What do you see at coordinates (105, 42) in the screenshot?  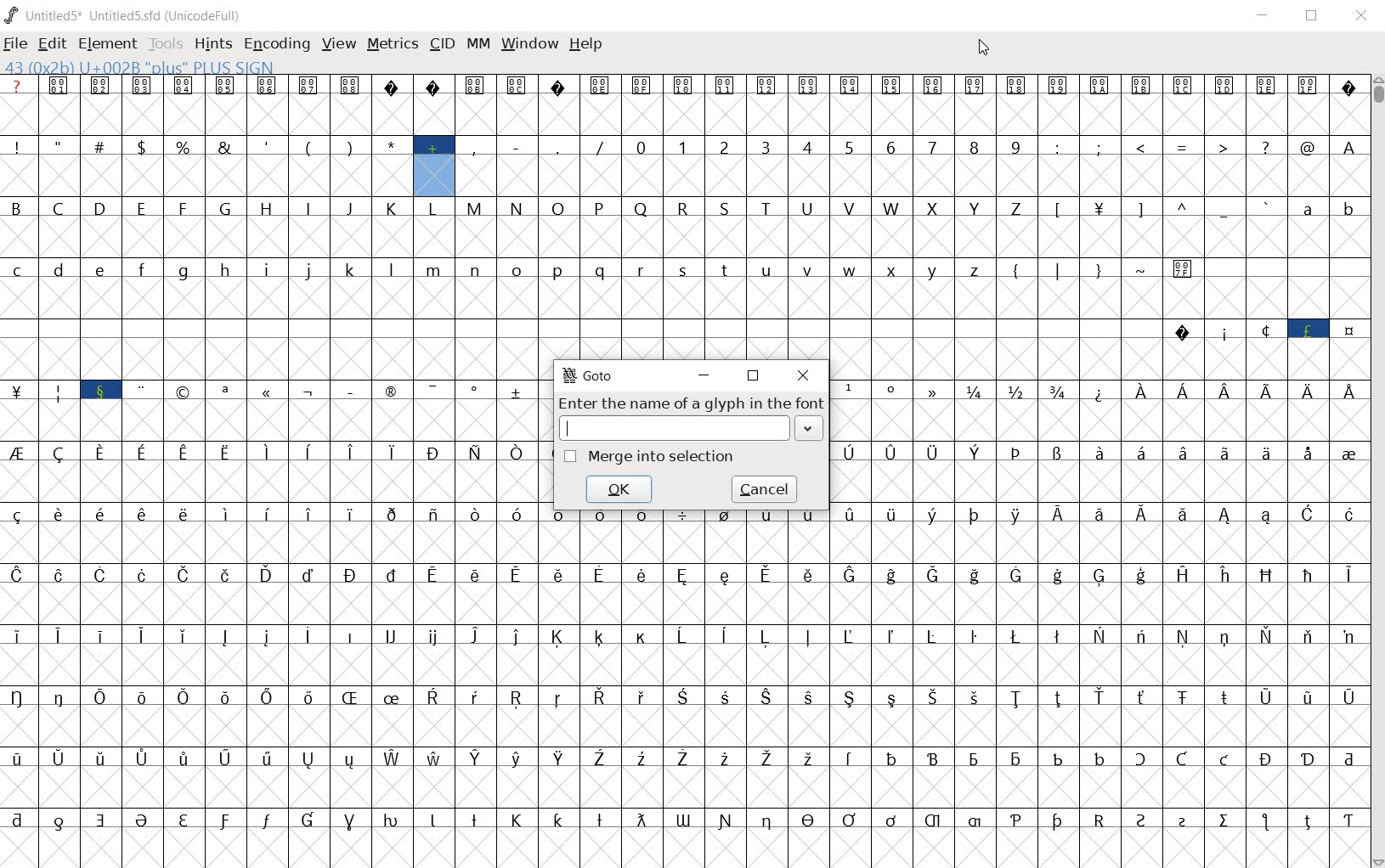 I see `element` at bounding box center [105, 42].